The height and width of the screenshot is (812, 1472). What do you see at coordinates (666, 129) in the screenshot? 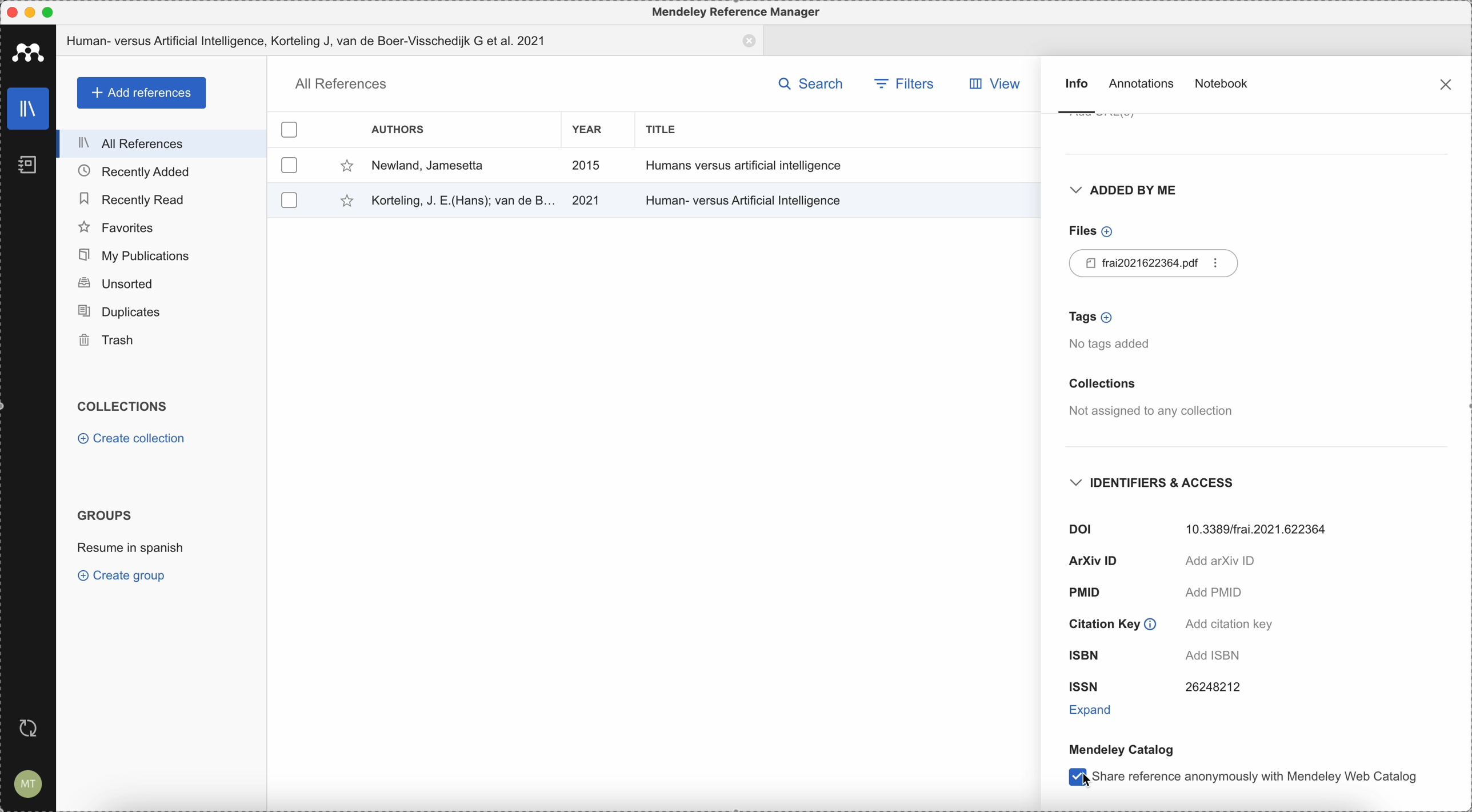
I see `title` at bounding box center [666, 129].